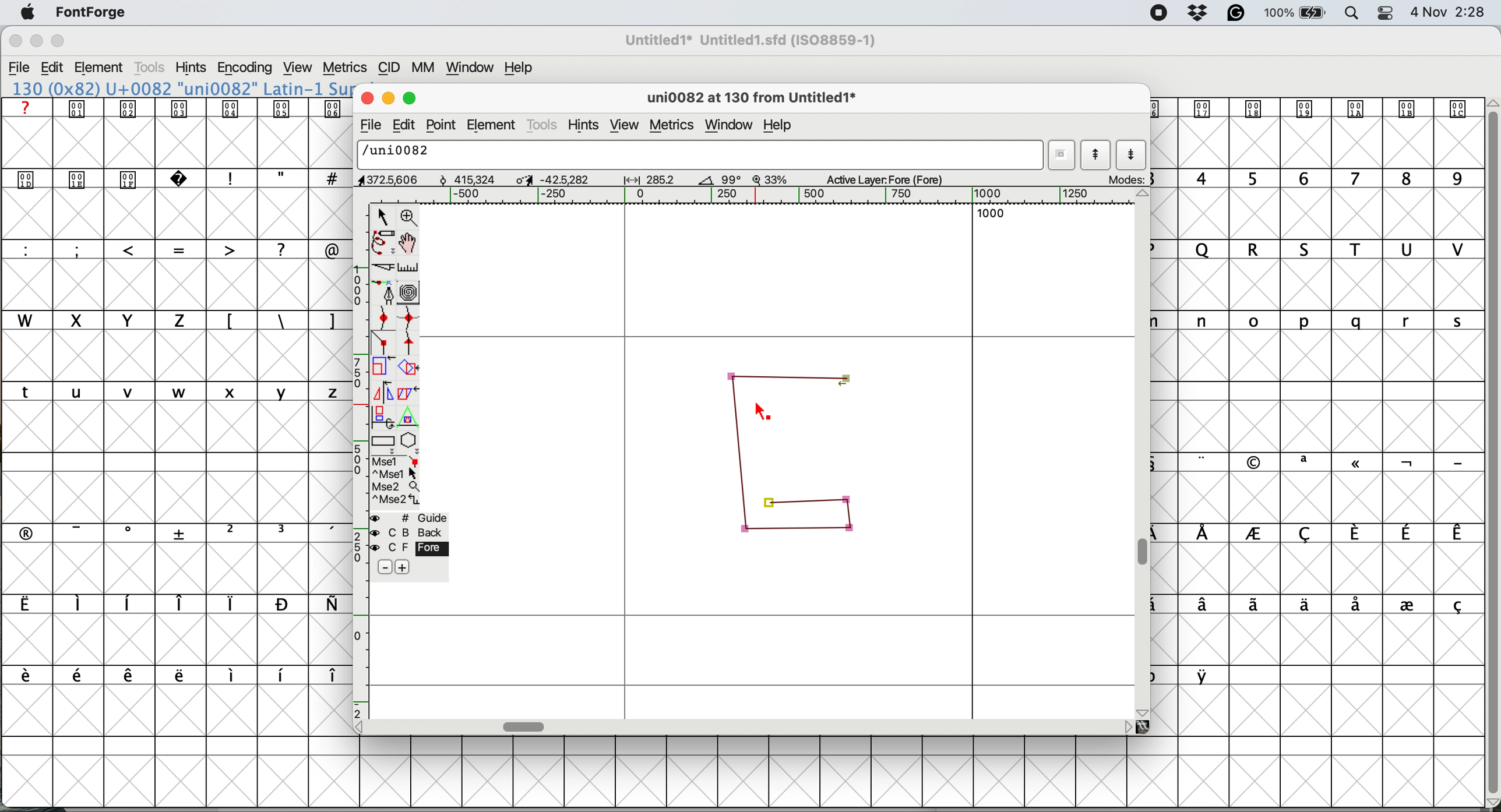  I want to click on lowercase letters, so click(1327, 321).